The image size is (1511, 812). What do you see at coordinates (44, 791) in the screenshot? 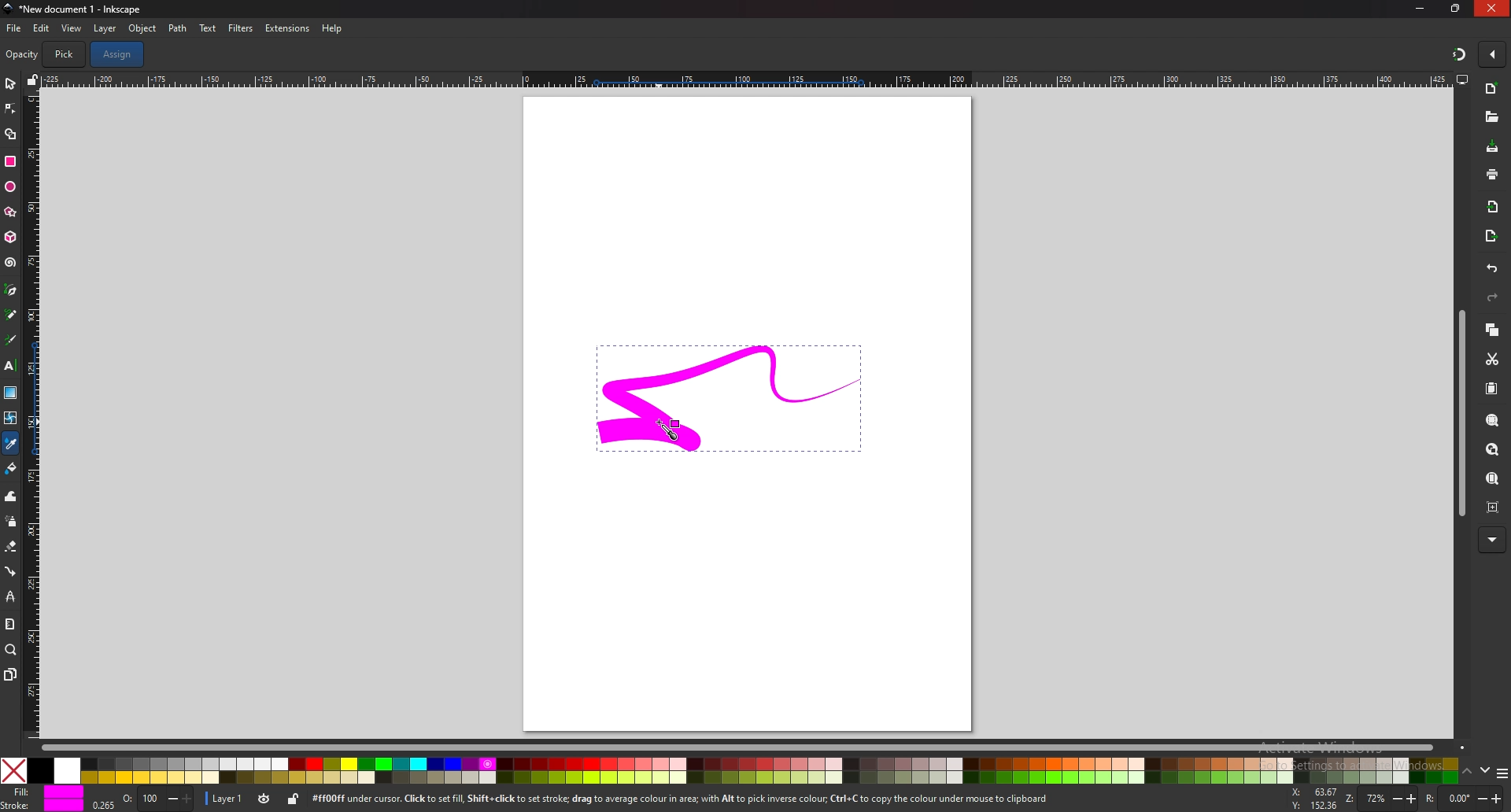
I see `fill` at bounding box center [44, 791].